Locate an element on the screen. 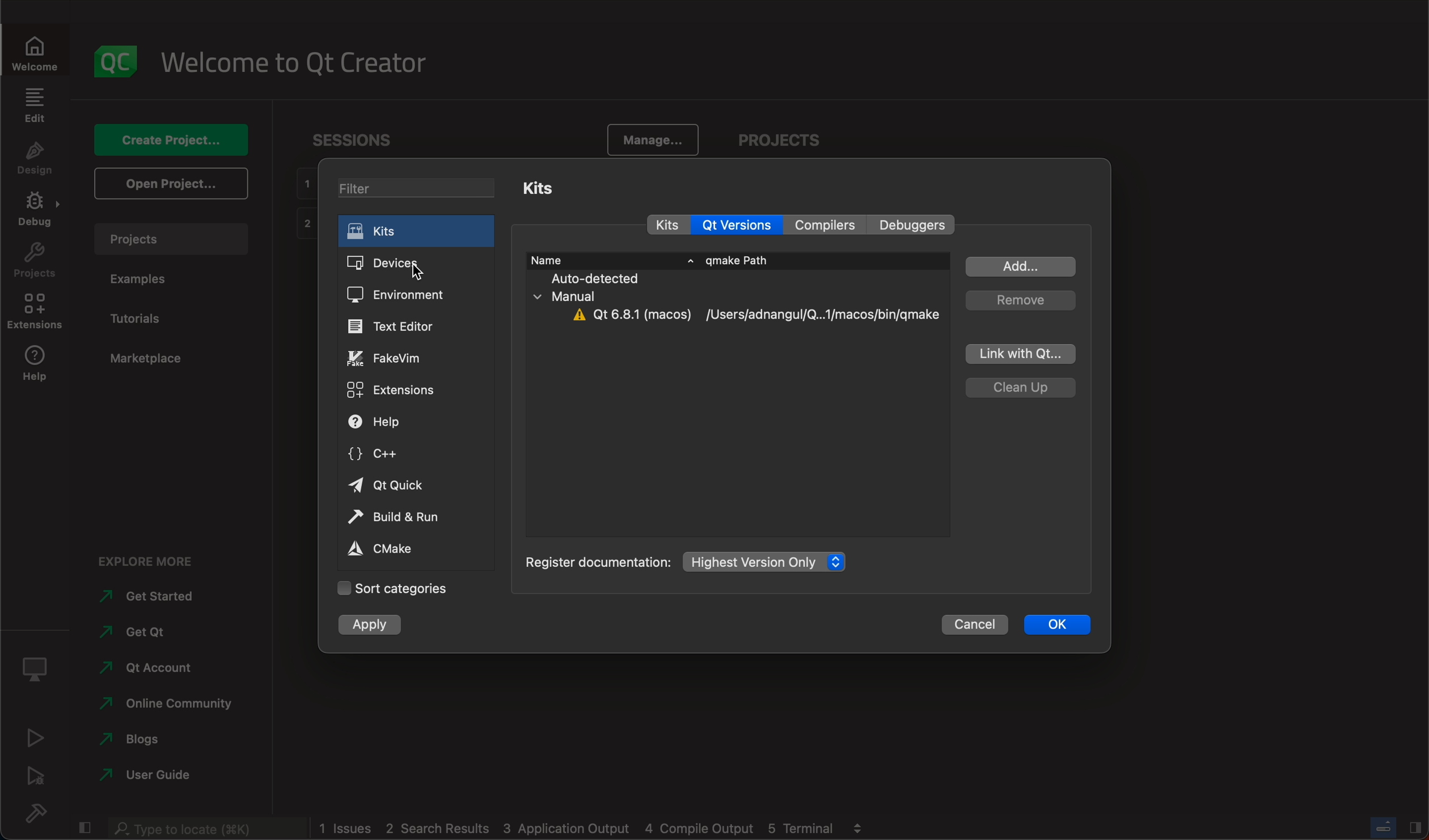  compilers is located at coordinates (832, 224).